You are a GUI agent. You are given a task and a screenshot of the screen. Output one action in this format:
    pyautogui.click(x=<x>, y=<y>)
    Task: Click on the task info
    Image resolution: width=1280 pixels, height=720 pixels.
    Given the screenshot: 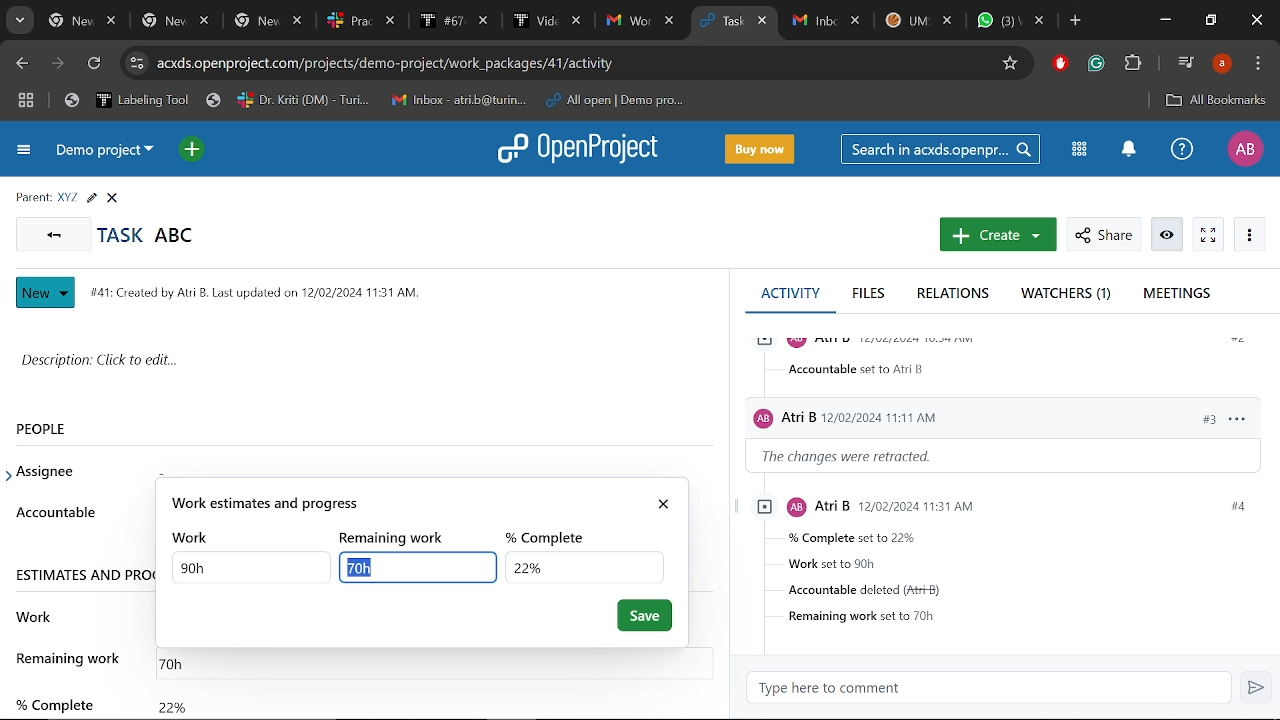 What is the action you would take?
    pyautogui.click(x=263, y=290)
    